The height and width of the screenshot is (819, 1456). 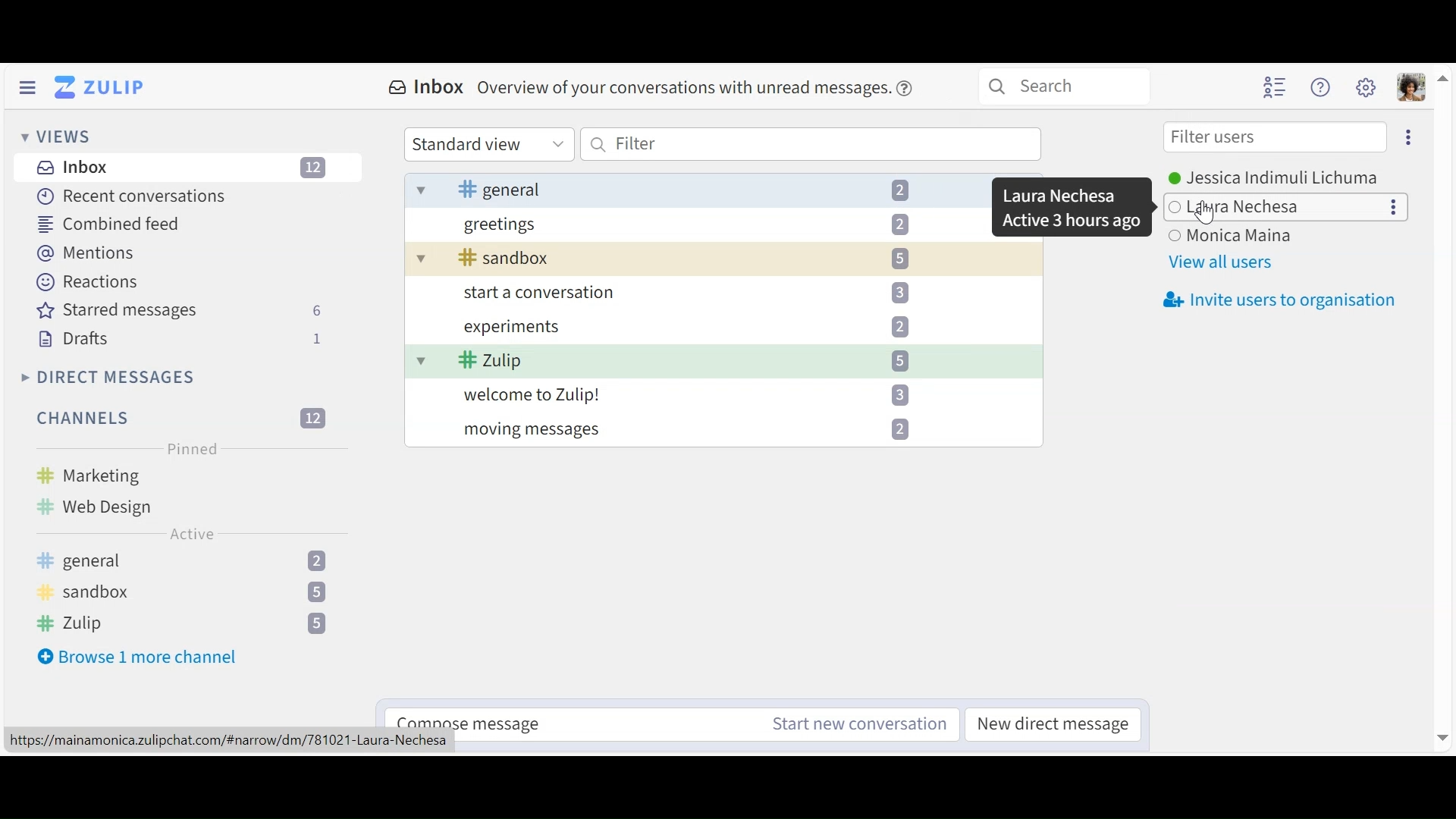 I want to click on Invite users to organisation, so click(x=1272, y=300).